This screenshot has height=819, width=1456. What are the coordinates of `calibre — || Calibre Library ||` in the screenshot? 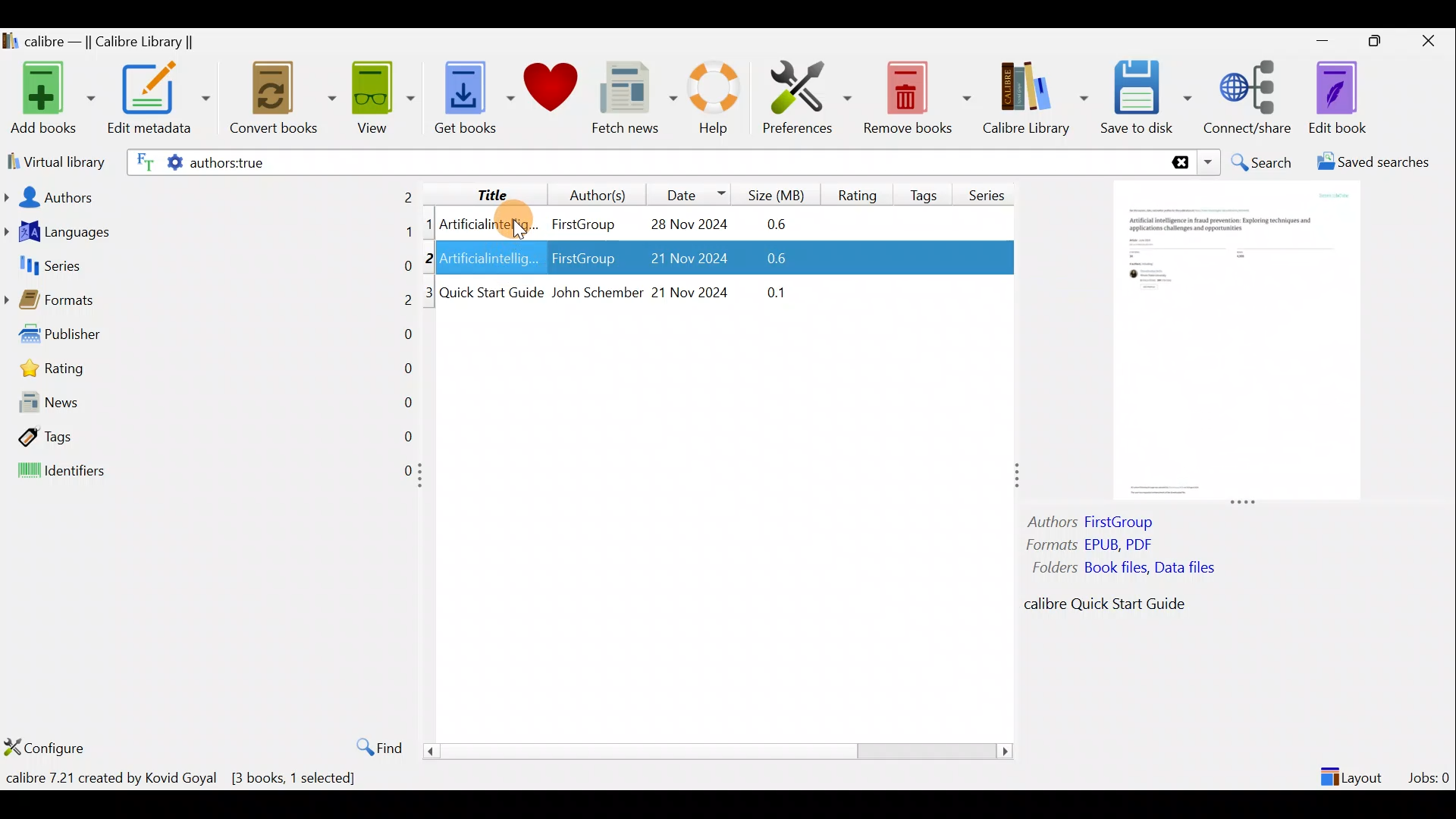 It's located at (101, 42).